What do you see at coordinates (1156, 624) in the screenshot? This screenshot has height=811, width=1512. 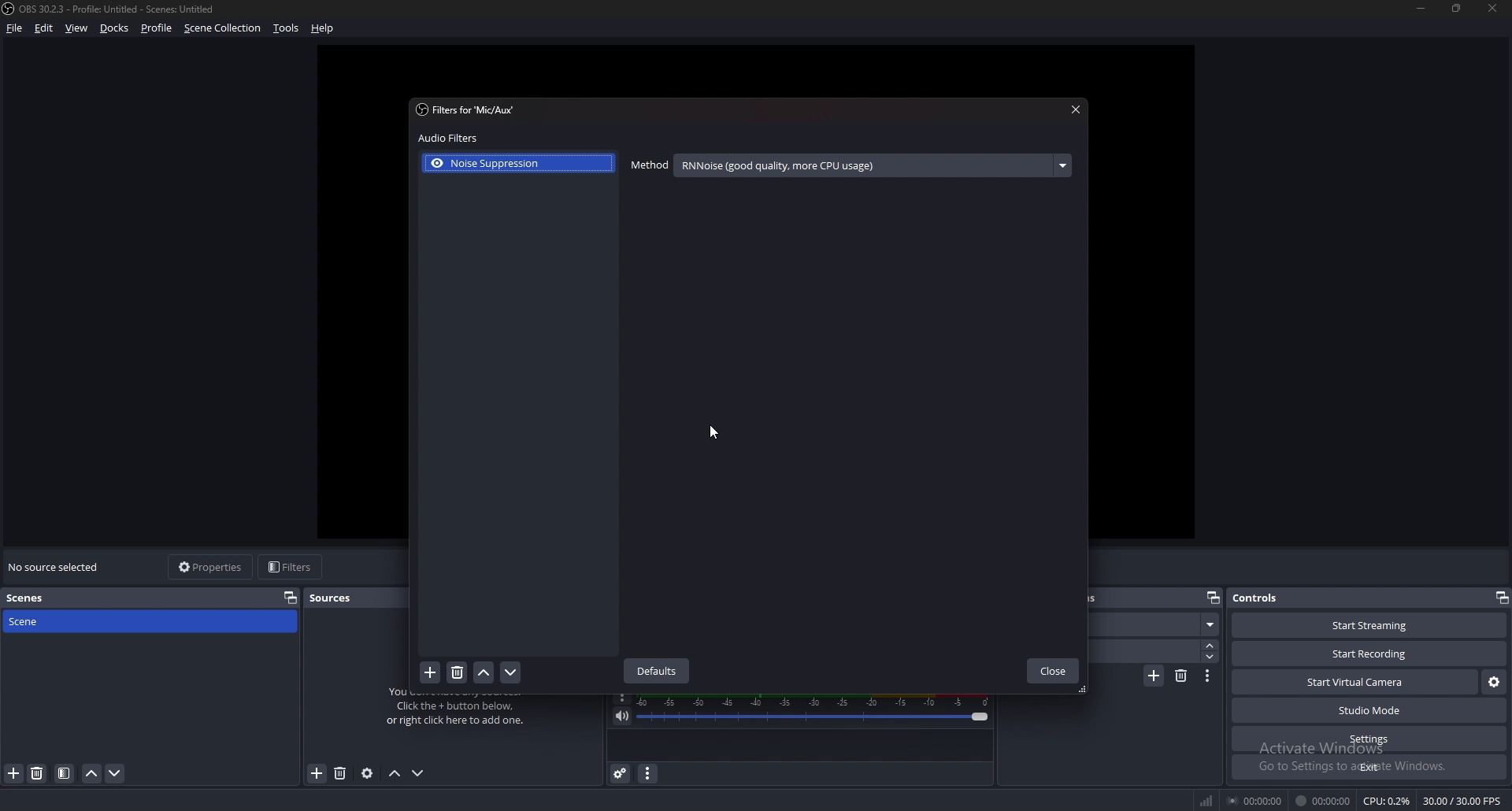 I see `scene` at bounding box center [1156, 624].